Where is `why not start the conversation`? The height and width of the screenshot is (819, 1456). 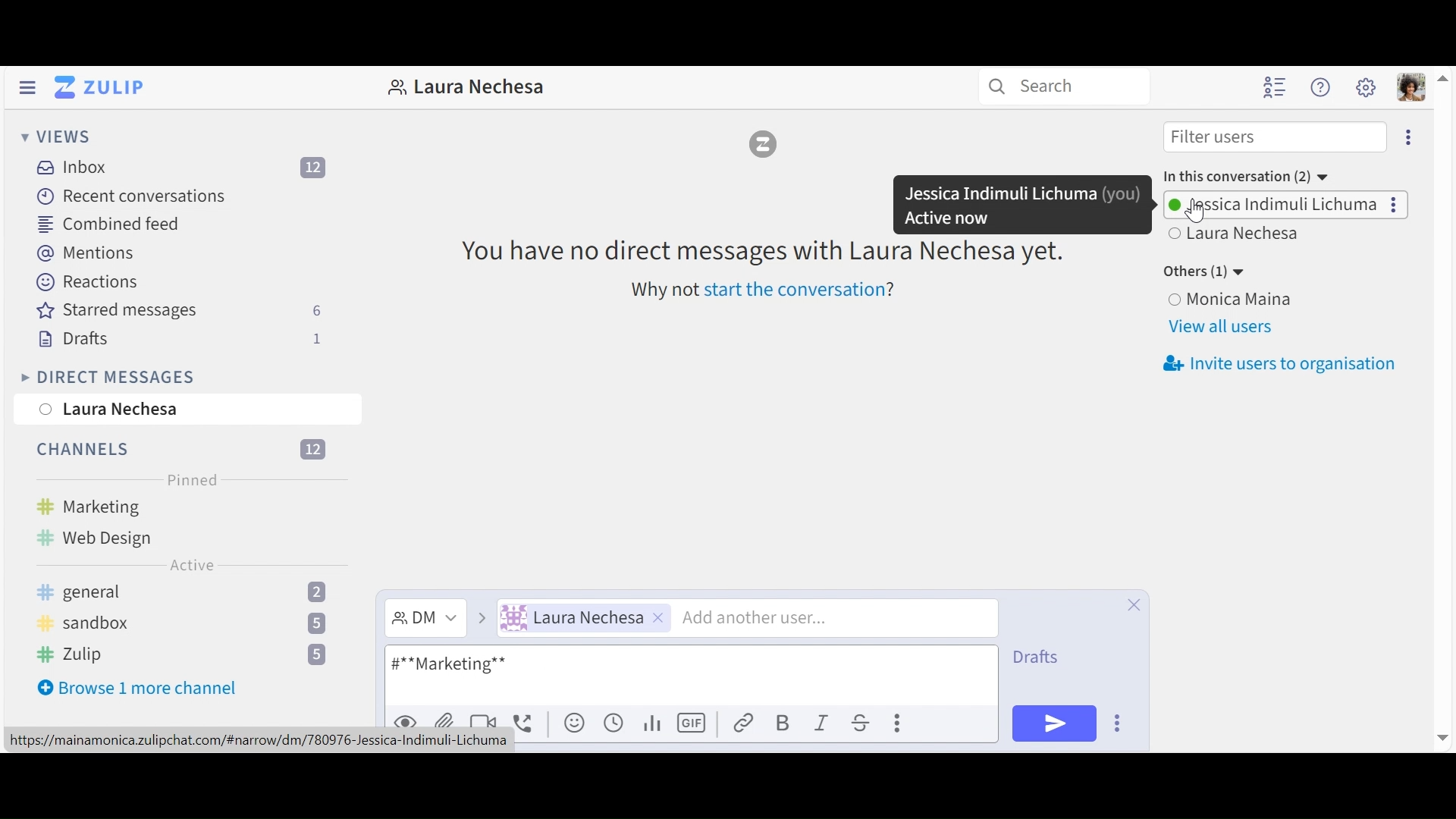 why not start the conversation is located at coordinates (764, 291).